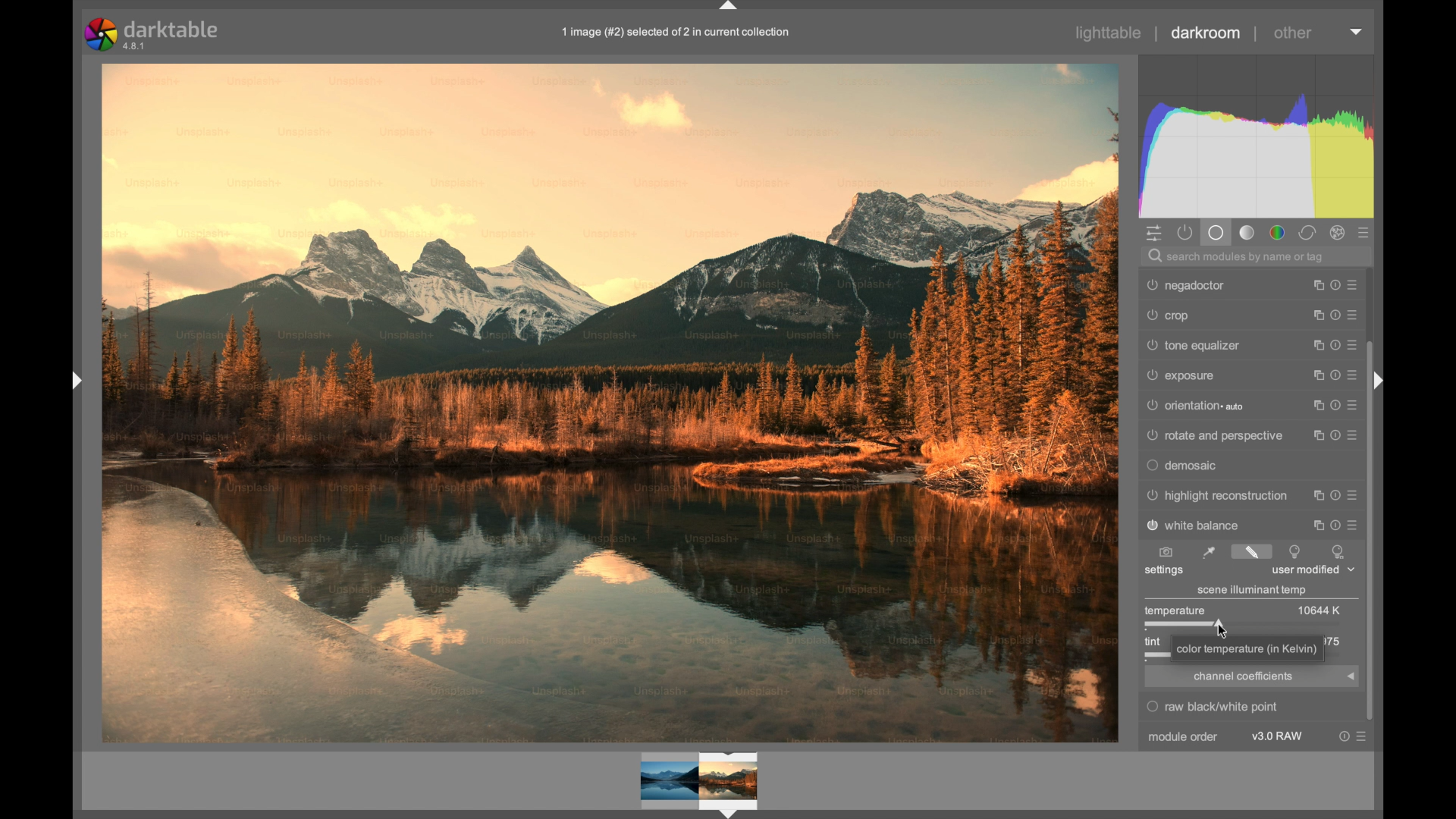 This screenshot has height=819, width=1456. I want to click on temperature, so click(1175, 610).